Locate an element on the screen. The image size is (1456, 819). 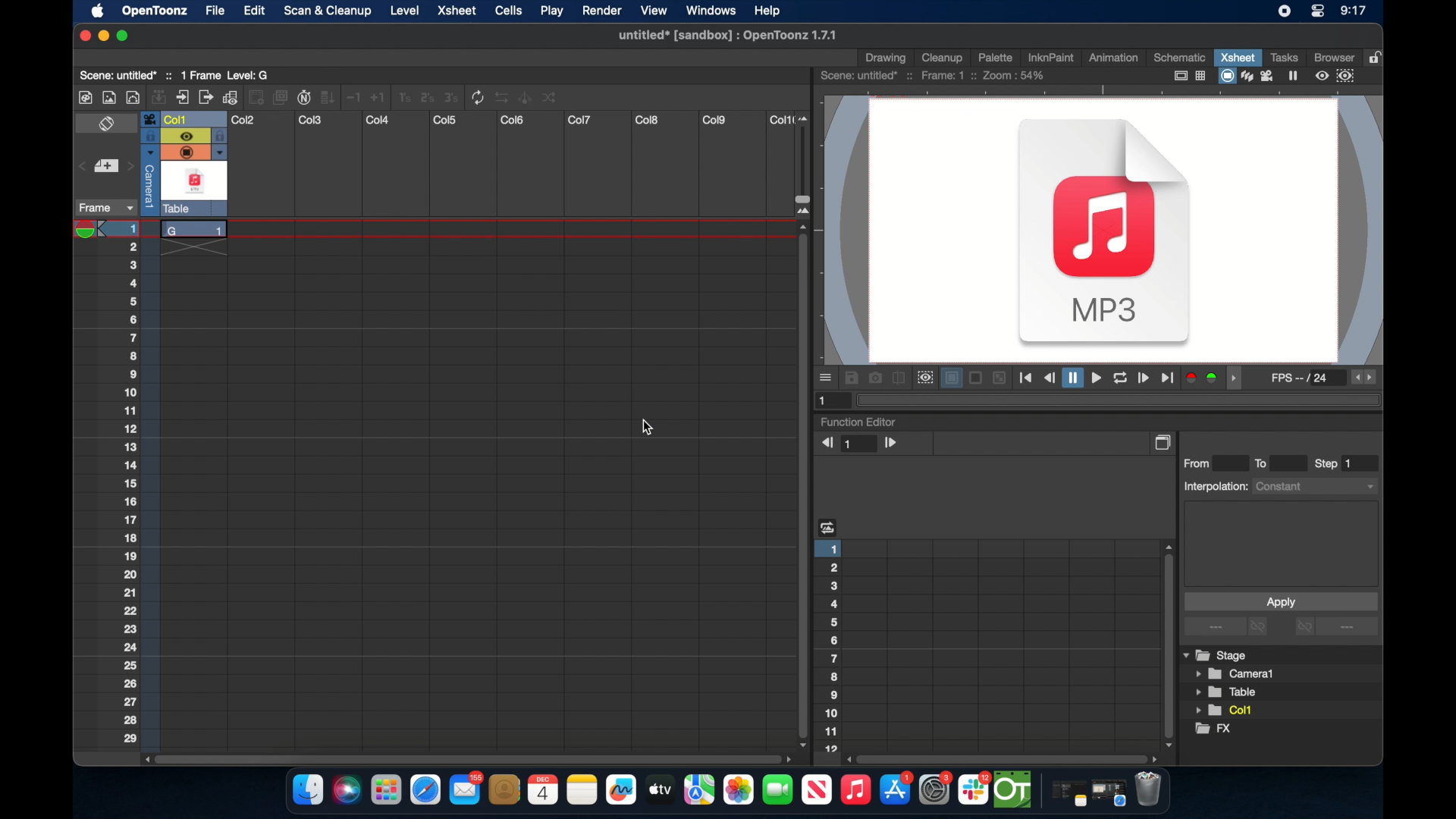
to is located at coordinates (1266, 463).